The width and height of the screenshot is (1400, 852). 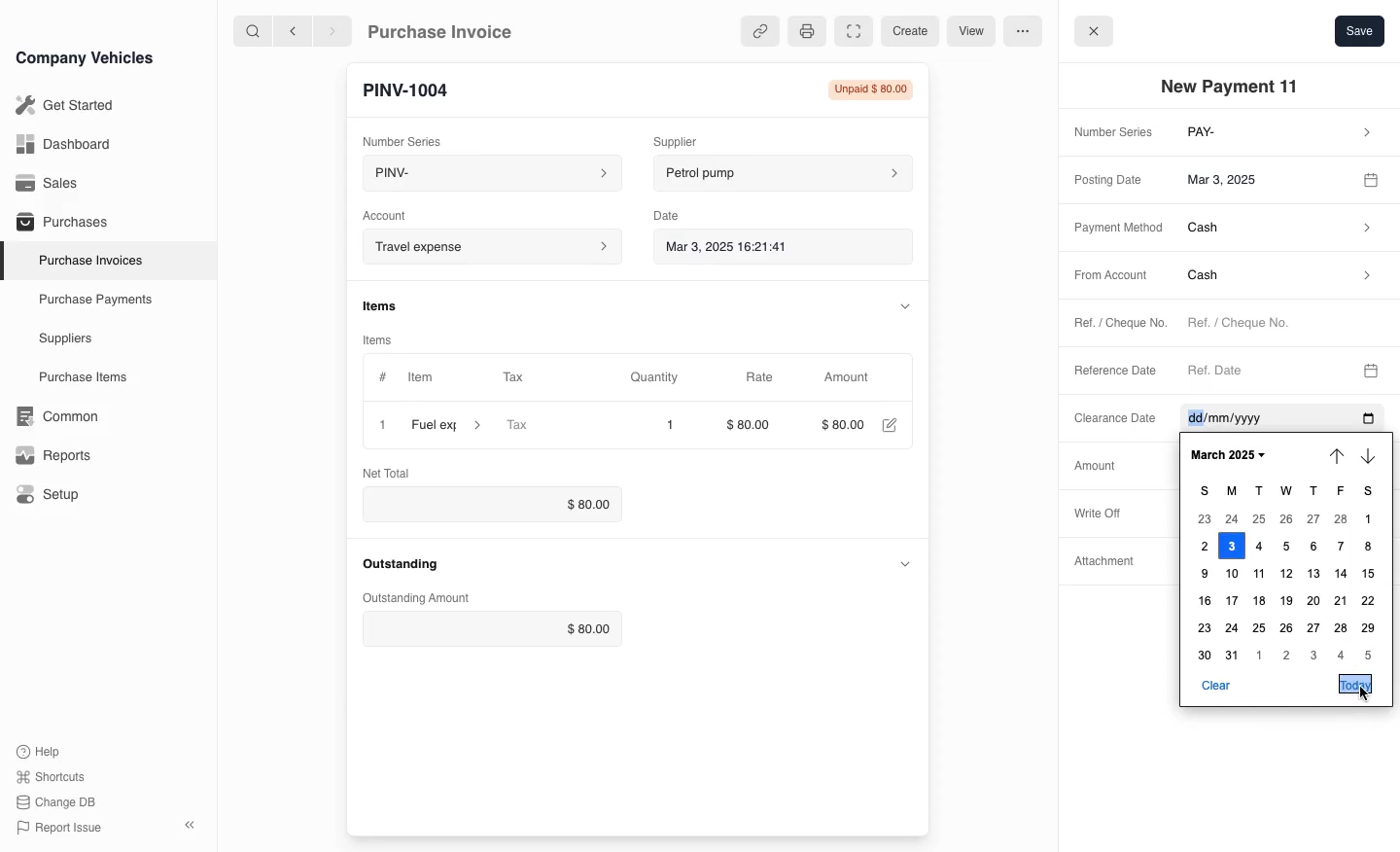 I want to click on create, so click(x=907, y=31).